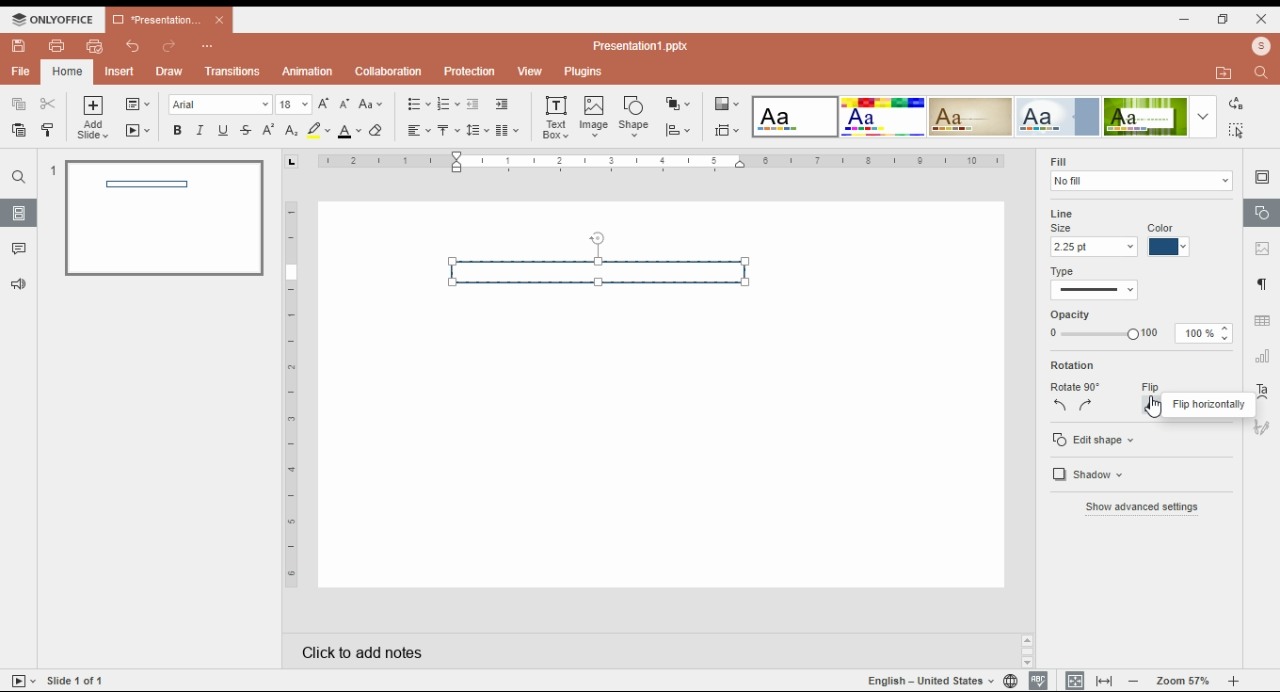 The image size is (1280, 692). Describe the element at coordinates (1162, 227) in the screenshot. I see `color` at that location.